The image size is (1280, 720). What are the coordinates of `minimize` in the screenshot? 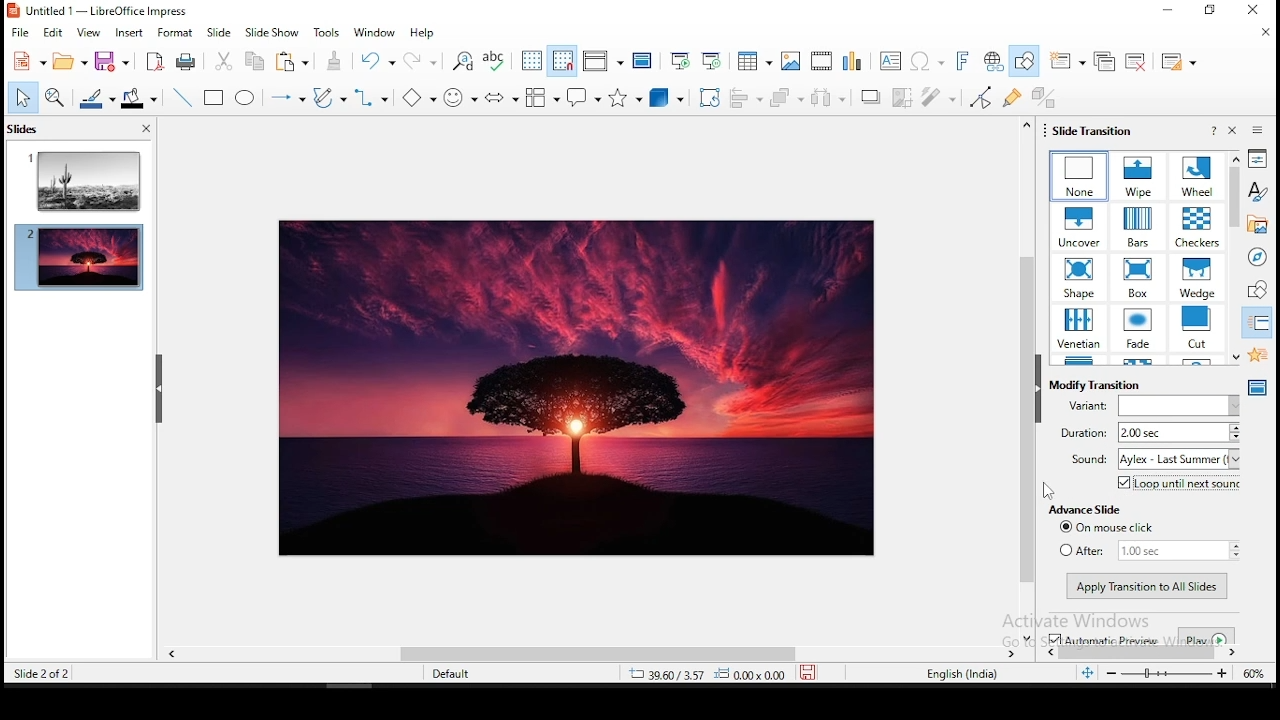 It's located at (1170, 11).